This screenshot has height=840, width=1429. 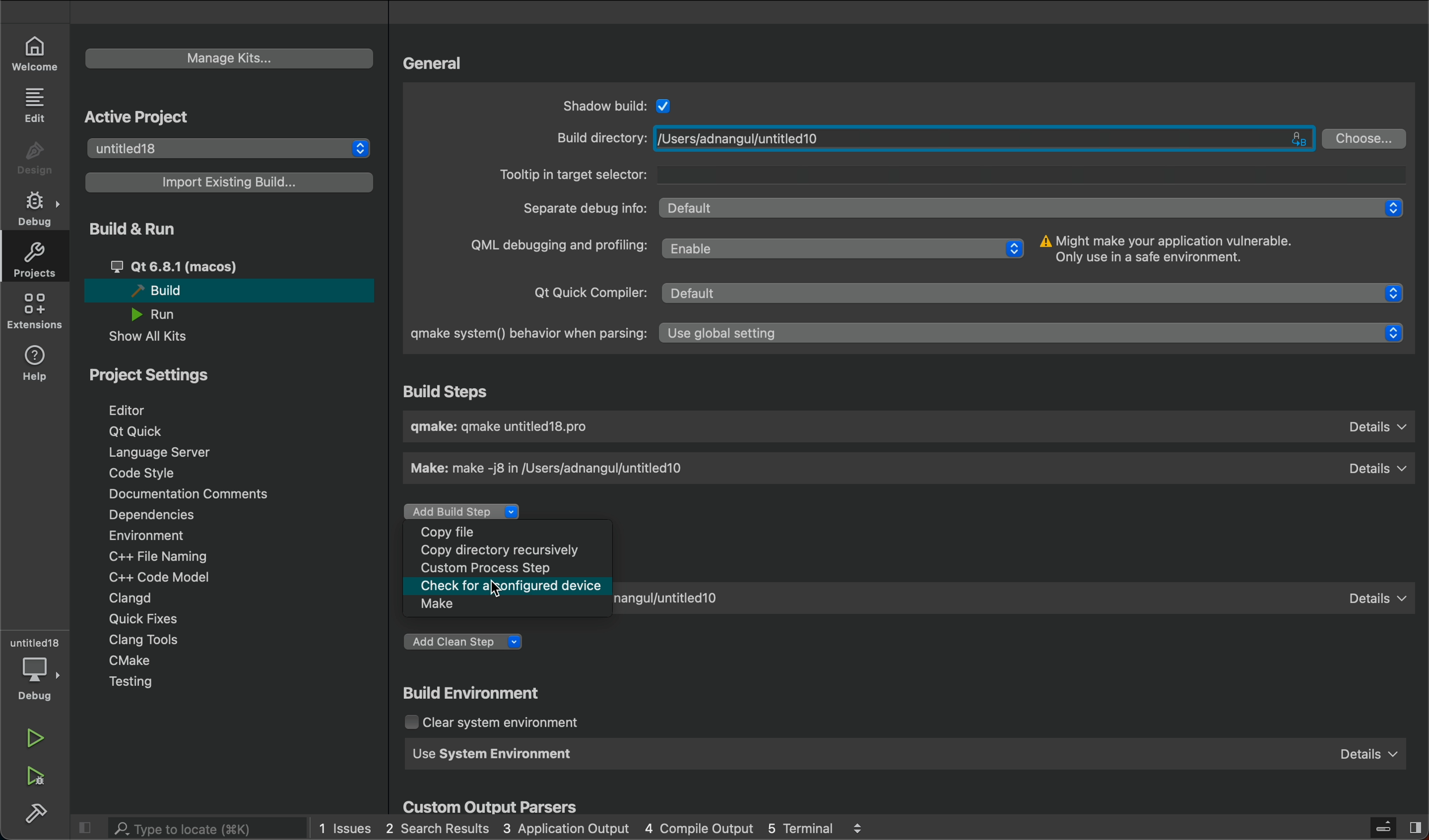 I want to click on Make, so click(x=438, y=604).